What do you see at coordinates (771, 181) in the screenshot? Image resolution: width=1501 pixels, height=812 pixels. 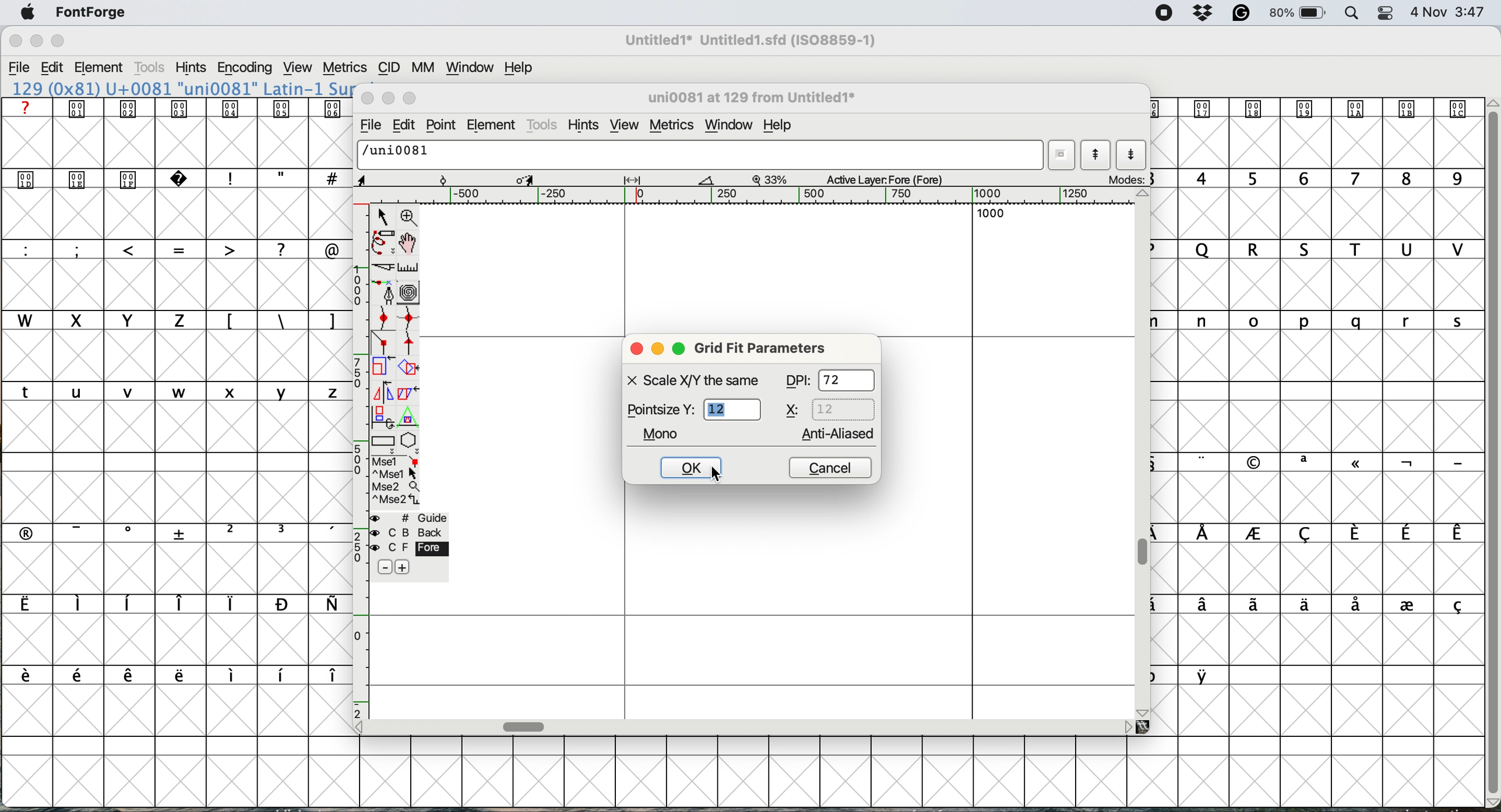 I see `zoom factor` at bounding box center [771, 181].